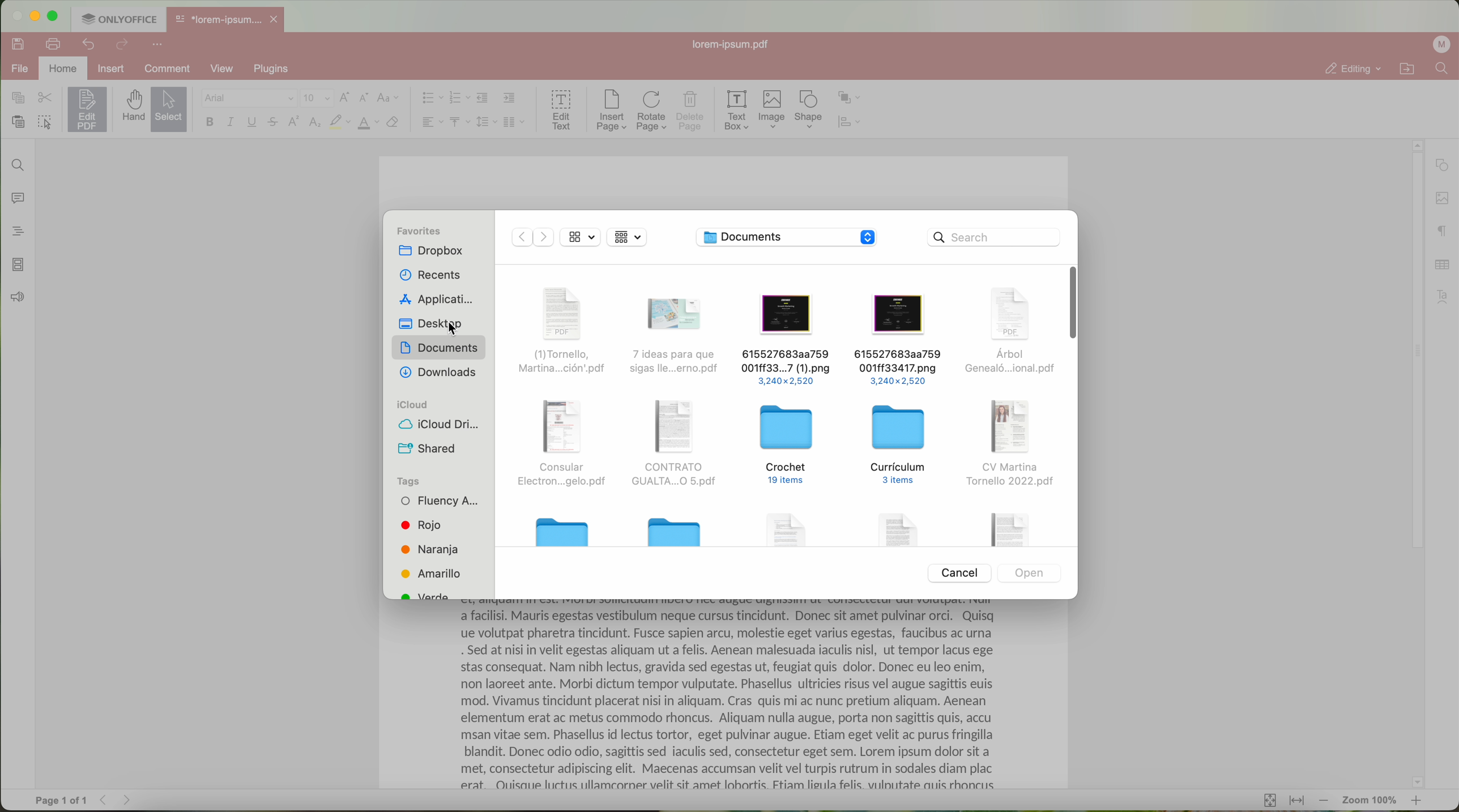  What do you see at coordinates (412, 404) in the screenshot?
I see `icloud` at bounding box center [412, 404].